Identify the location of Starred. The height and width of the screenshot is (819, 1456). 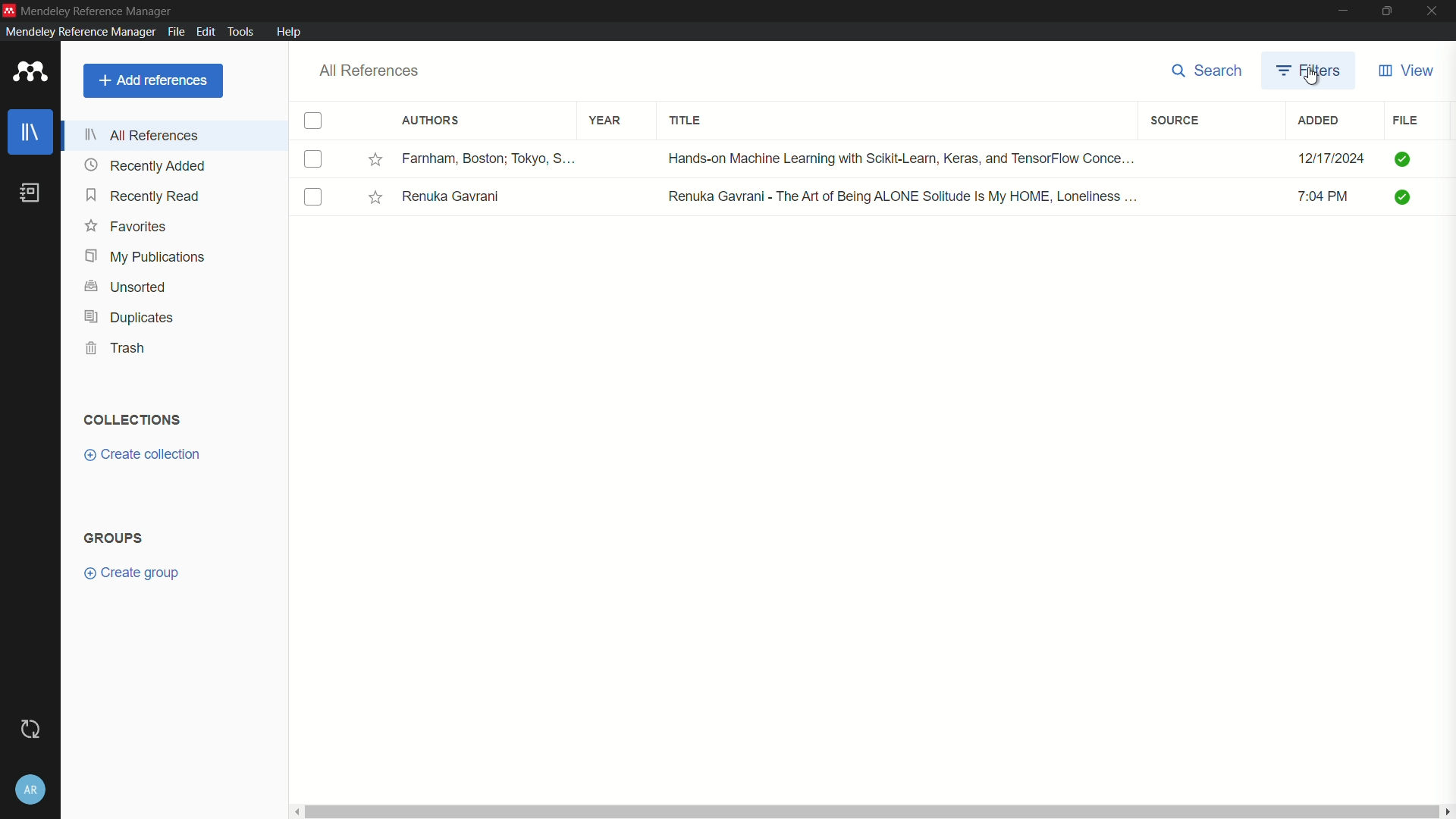
(375, 197).